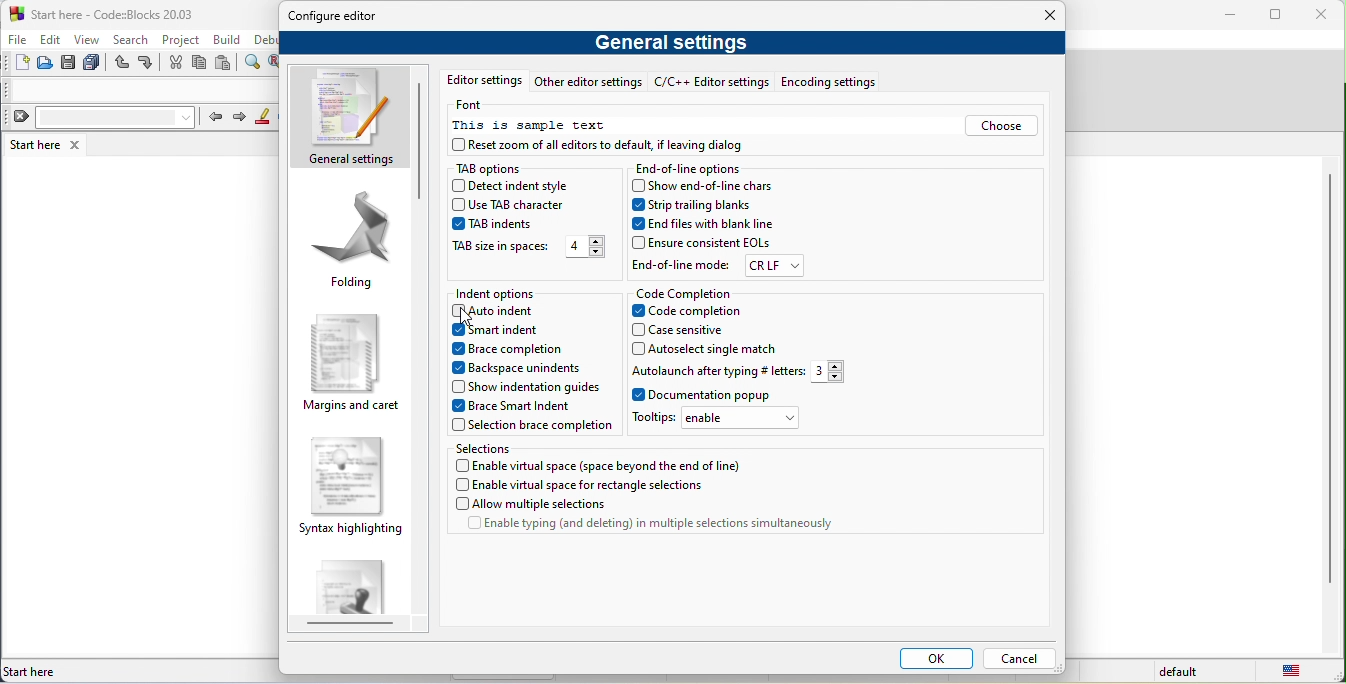 The image size is (1346, 684). I want to click on allow multiple selection, so click(532, 505).